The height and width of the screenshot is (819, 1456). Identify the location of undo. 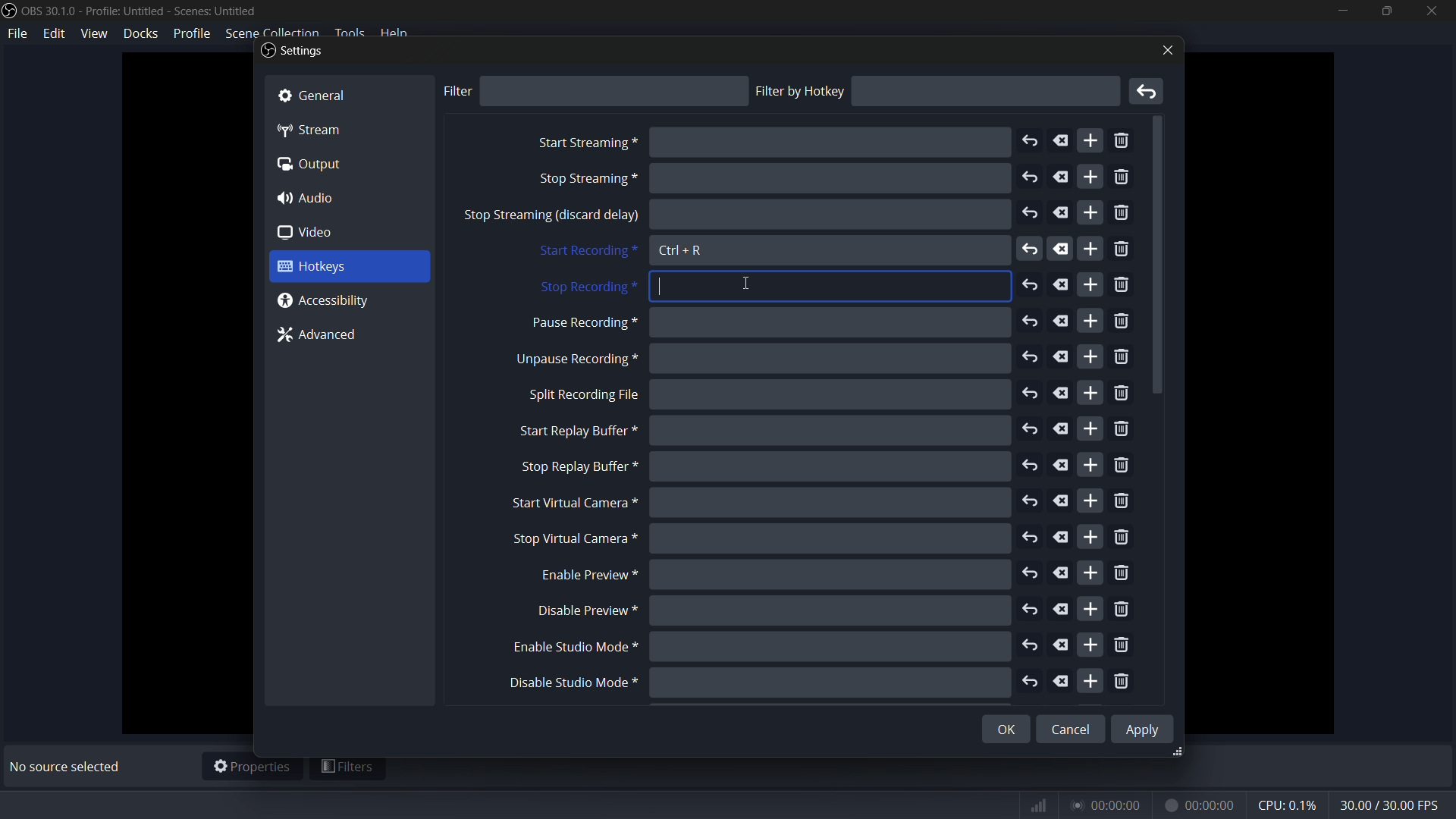
(1031, 648).